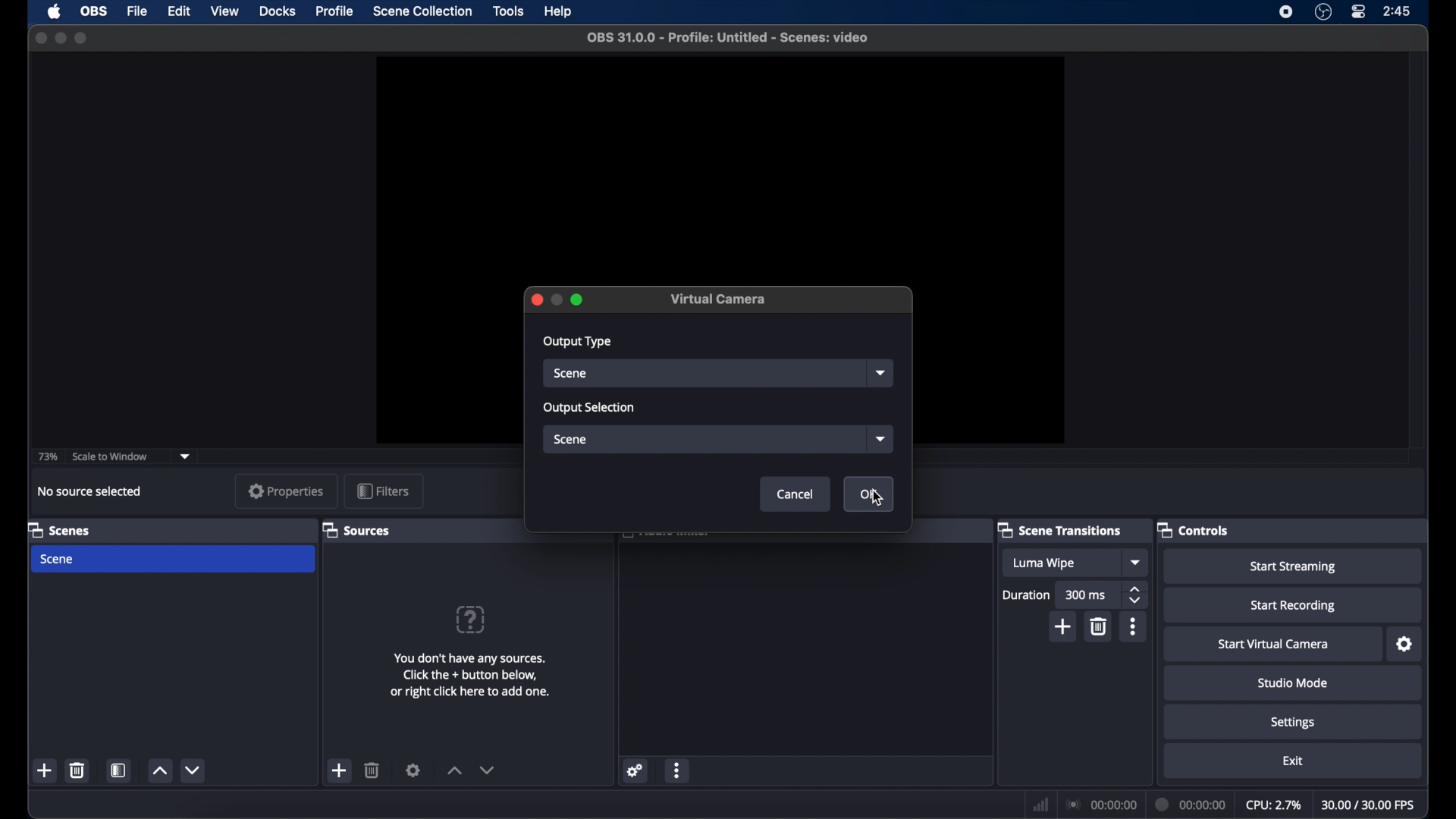  Describe the element at coordinates (1134, 626) in the screenshot. I see `more options` at that location.